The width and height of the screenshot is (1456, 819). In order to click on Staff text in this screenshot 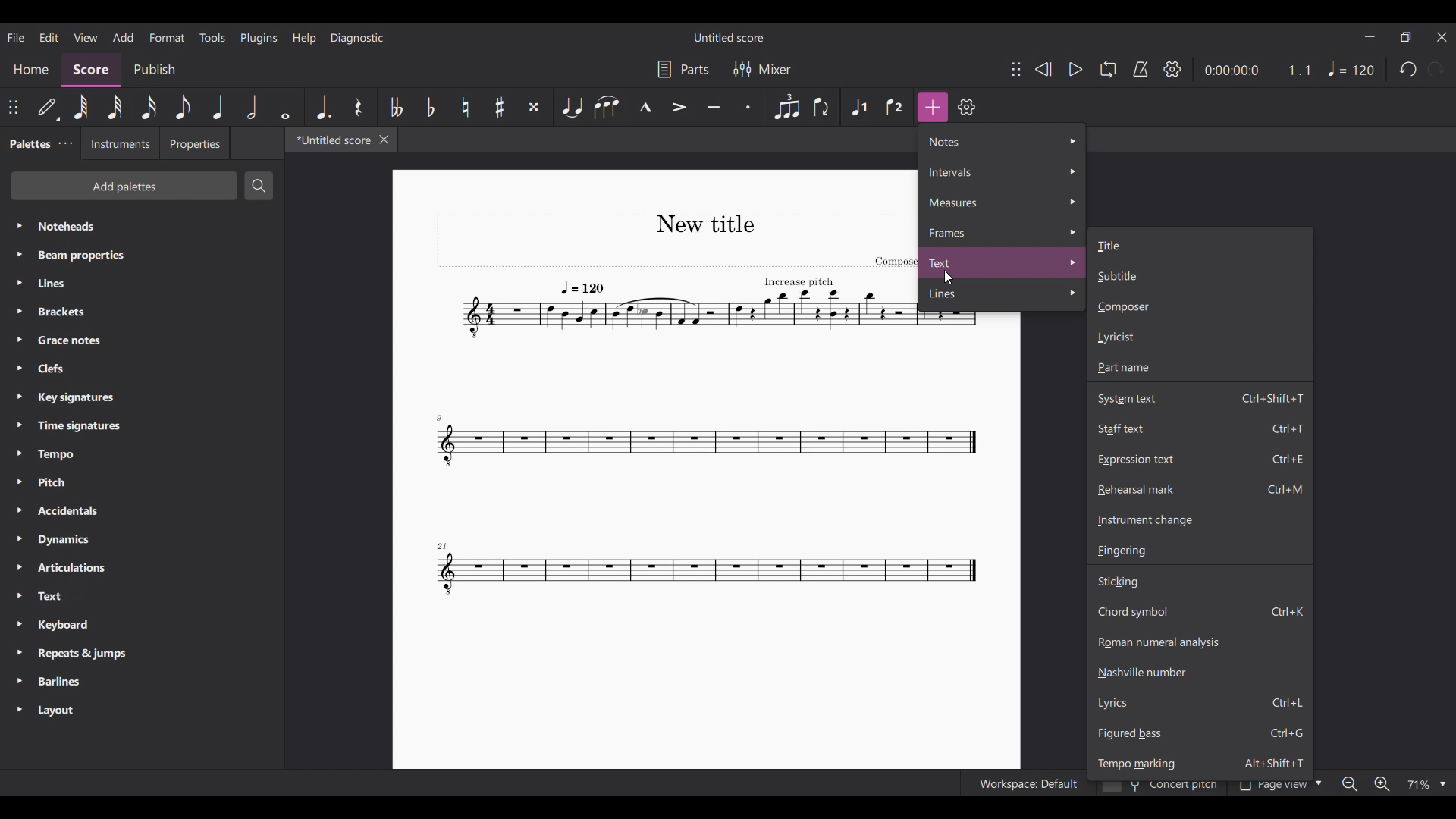, I will do `click(1200, 428)`.